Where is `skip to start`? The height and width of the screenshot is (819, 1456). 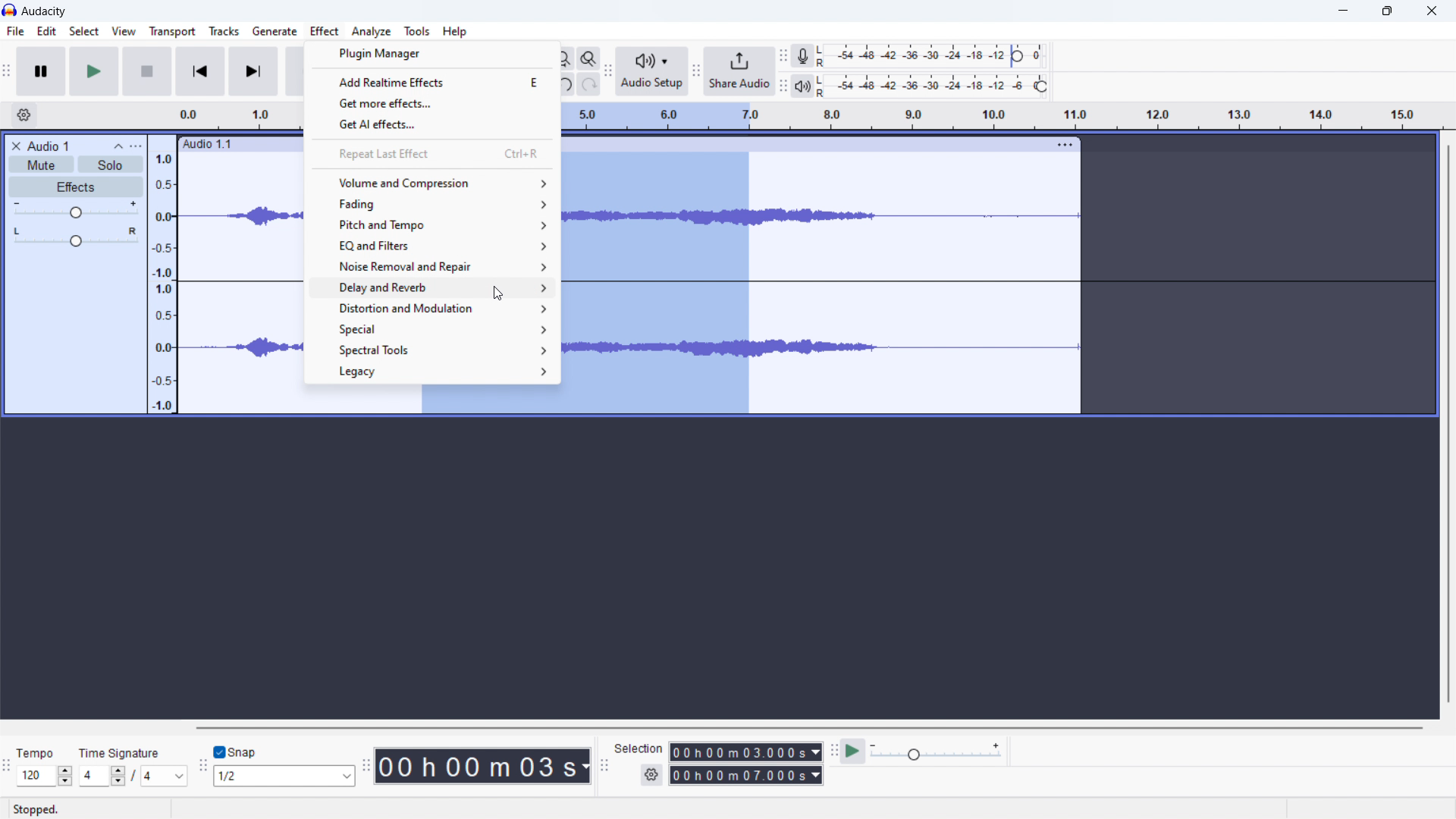
skip to start is located at coordinates (199, 72).